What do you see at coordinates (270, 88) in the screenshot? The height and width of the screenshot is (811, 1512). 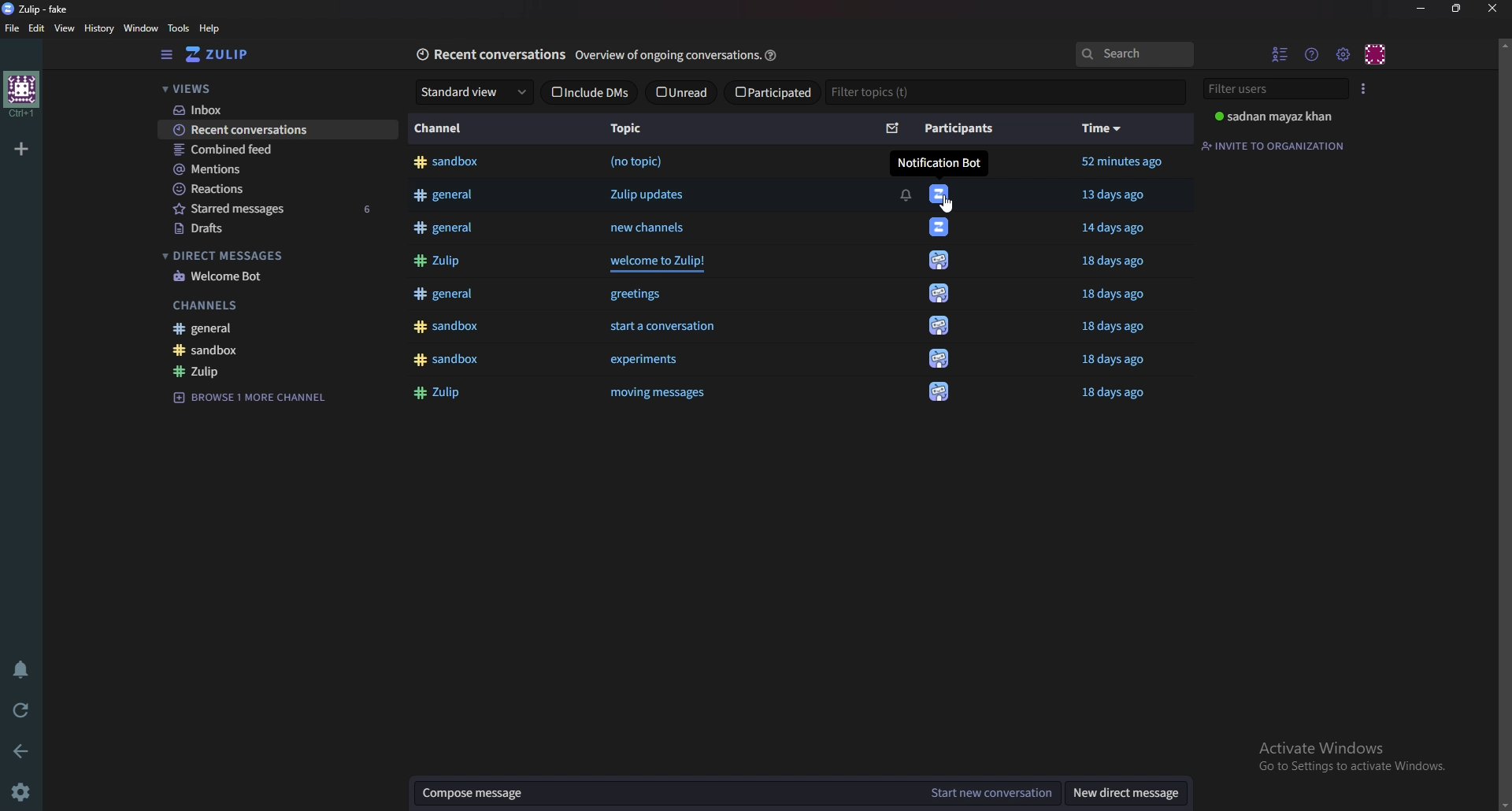 I see `views` at bounding box center [270, 88].